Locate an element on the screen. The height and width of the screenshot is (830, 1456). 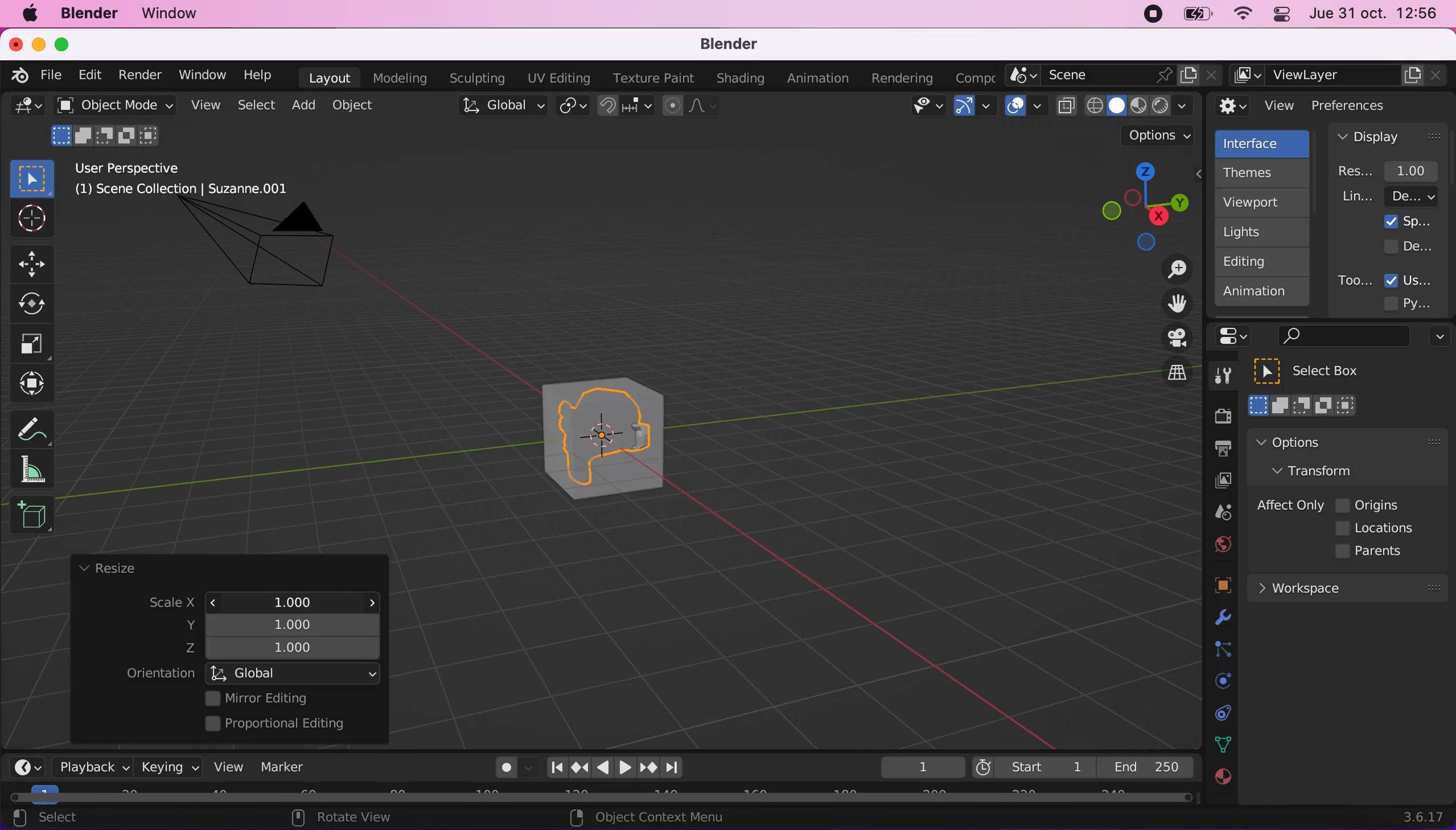
shading is located at coordinates (741, 79).